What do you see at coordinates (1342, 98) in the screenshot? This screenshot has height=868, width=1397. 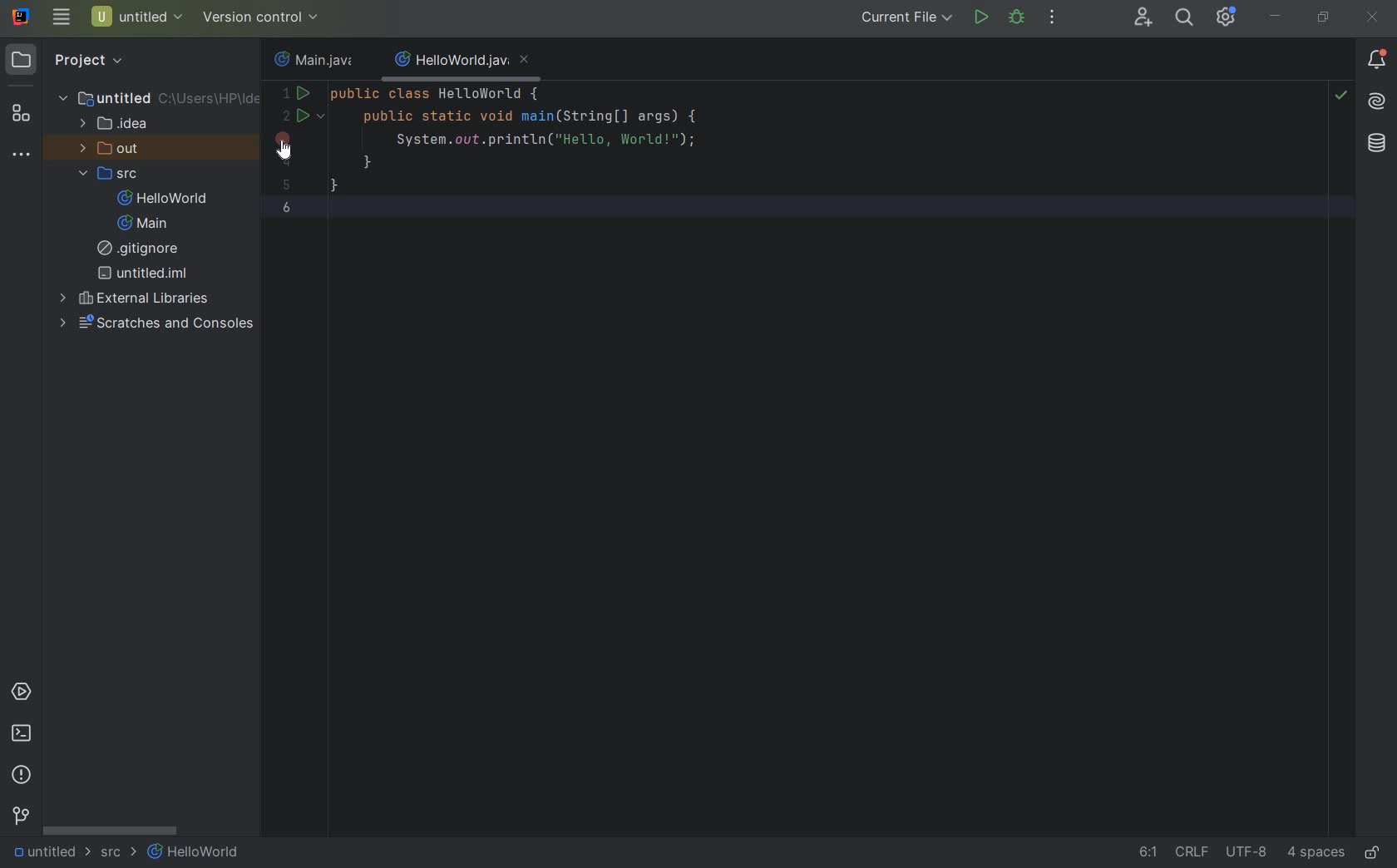 I see `highlight all problems` at bounding box center [1342, 98].